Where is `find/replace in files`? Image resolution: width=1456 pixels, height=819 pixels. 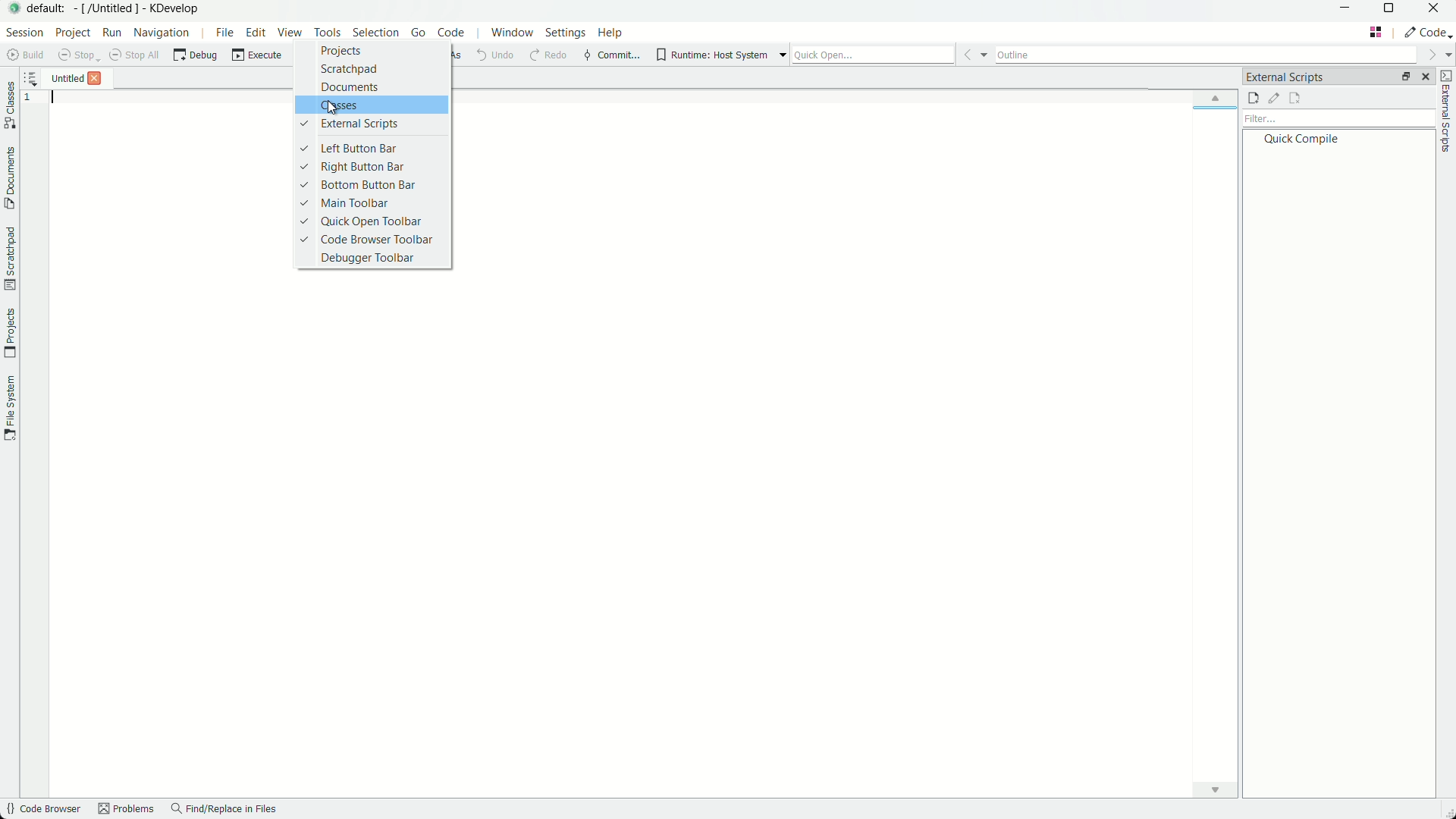 find/replace in files is located at coordinates (225, 811).